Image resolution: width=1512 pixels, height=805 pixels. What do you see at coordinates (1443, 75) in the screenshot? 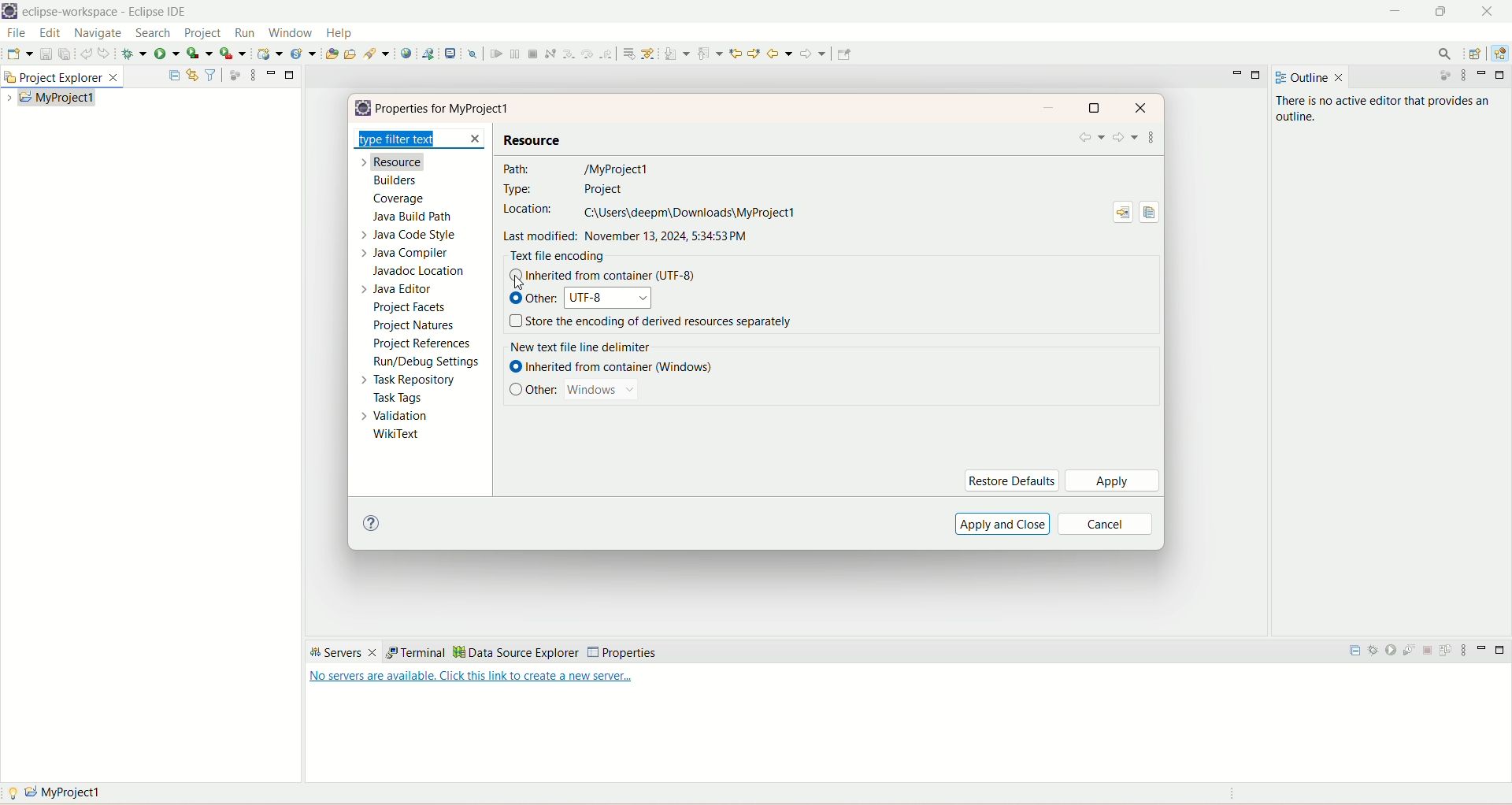
I see `focus on active task` at bounding box center [1443, 75].